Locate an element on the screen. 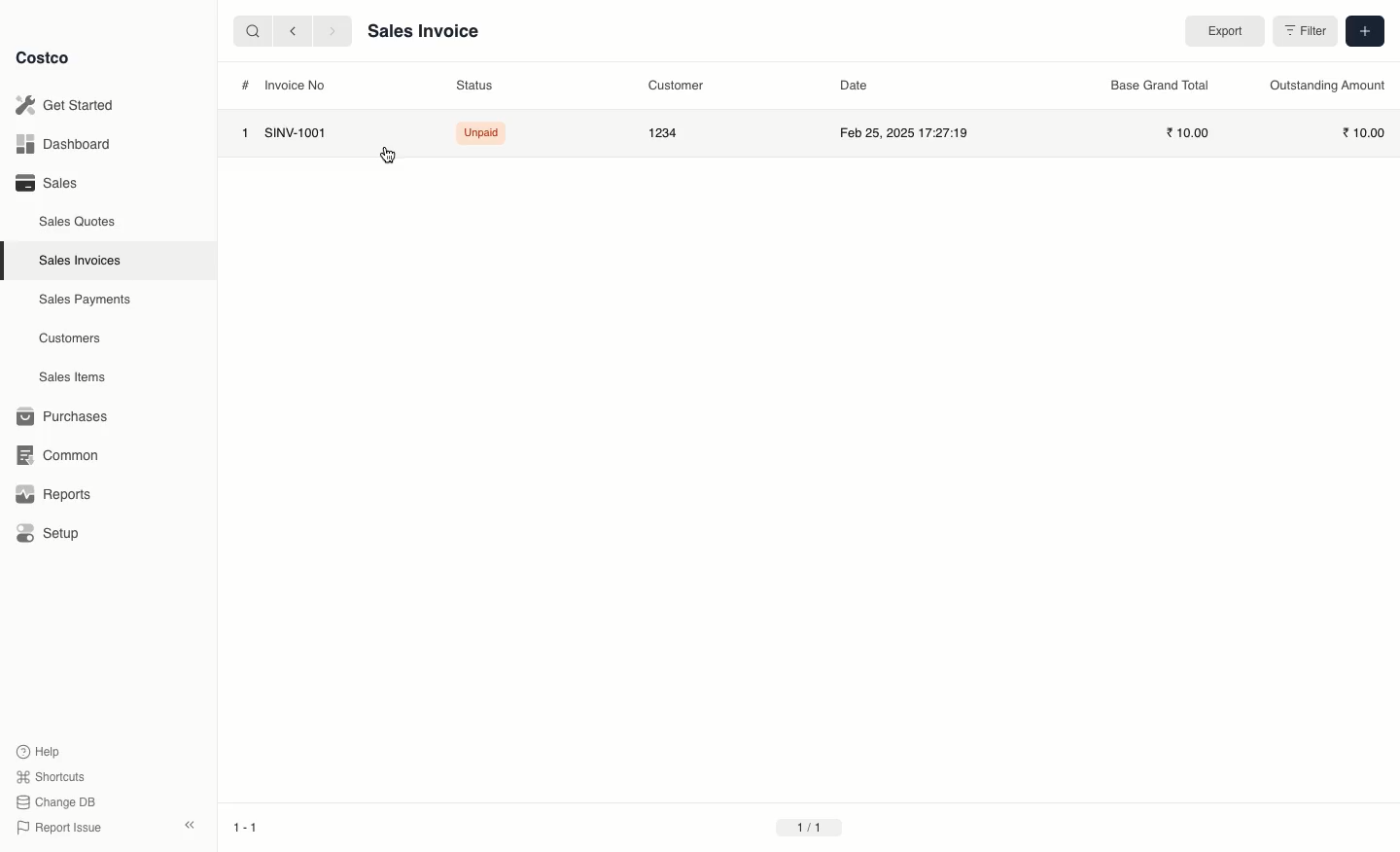 This screenshot has width=1400, height=852. 10.00 is located at coordinates (1363, 132).